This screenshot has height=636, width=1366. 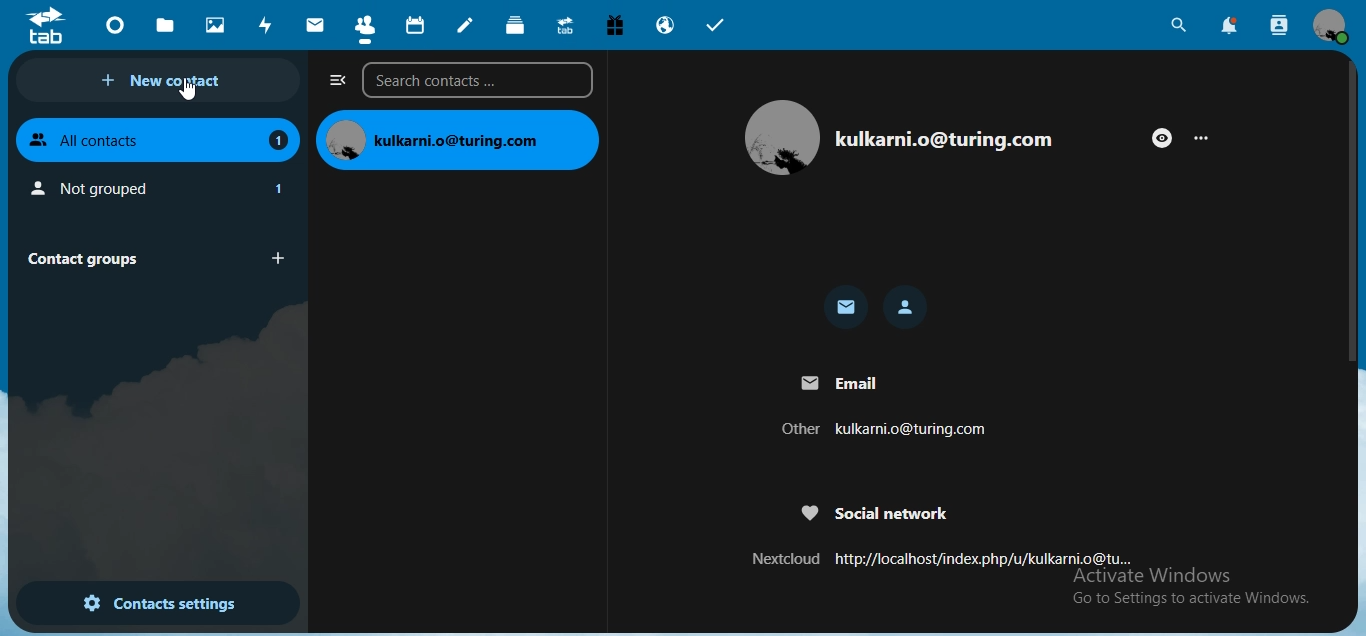 What do you see at coordinates (48, 25) in the screenshot?
I see `icon` at bounding box center [48, 25].